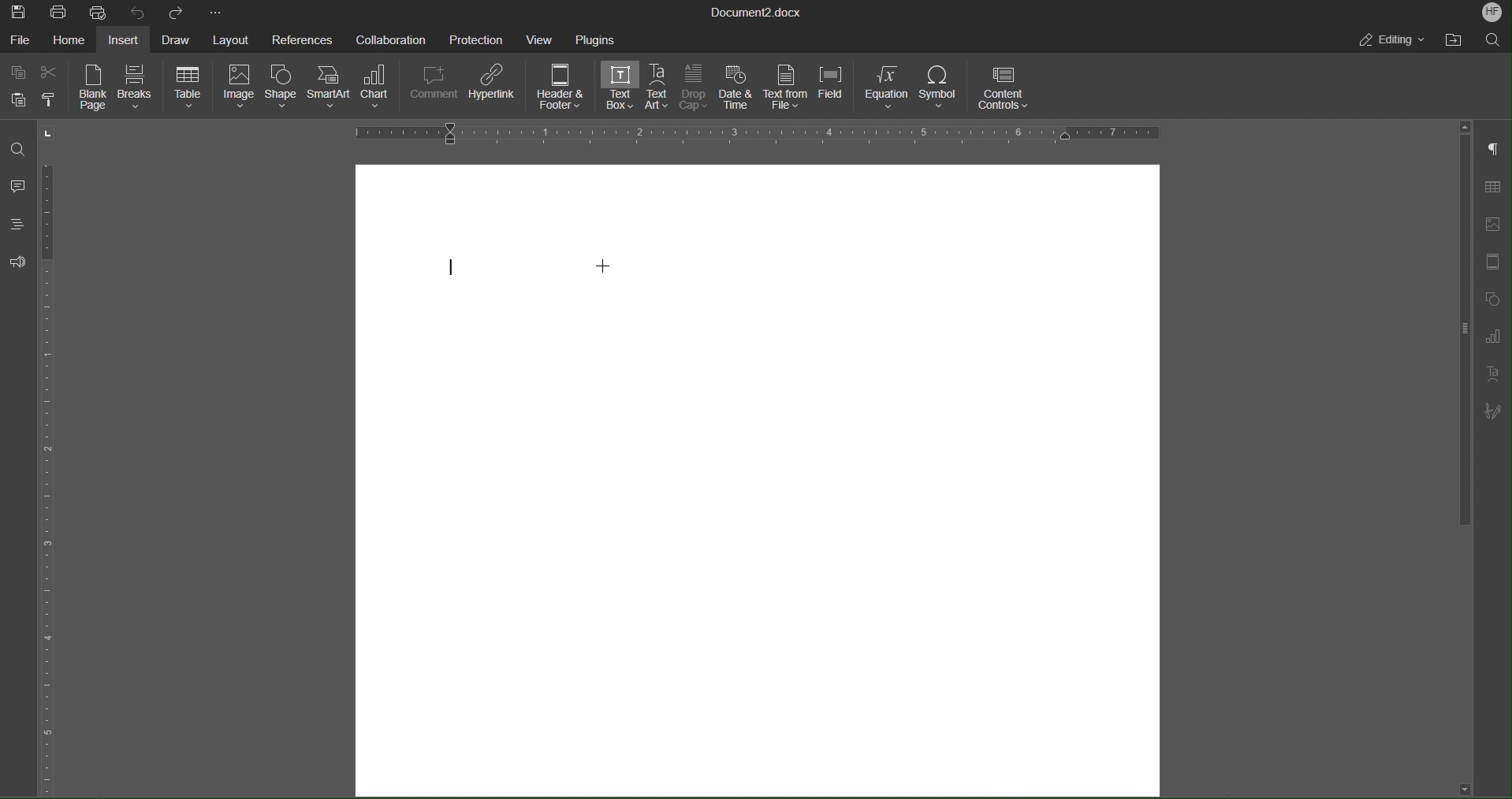  Describe the element at coordinates (50, 474) in the screenshot. I see `Vertical Ruler` at that location.